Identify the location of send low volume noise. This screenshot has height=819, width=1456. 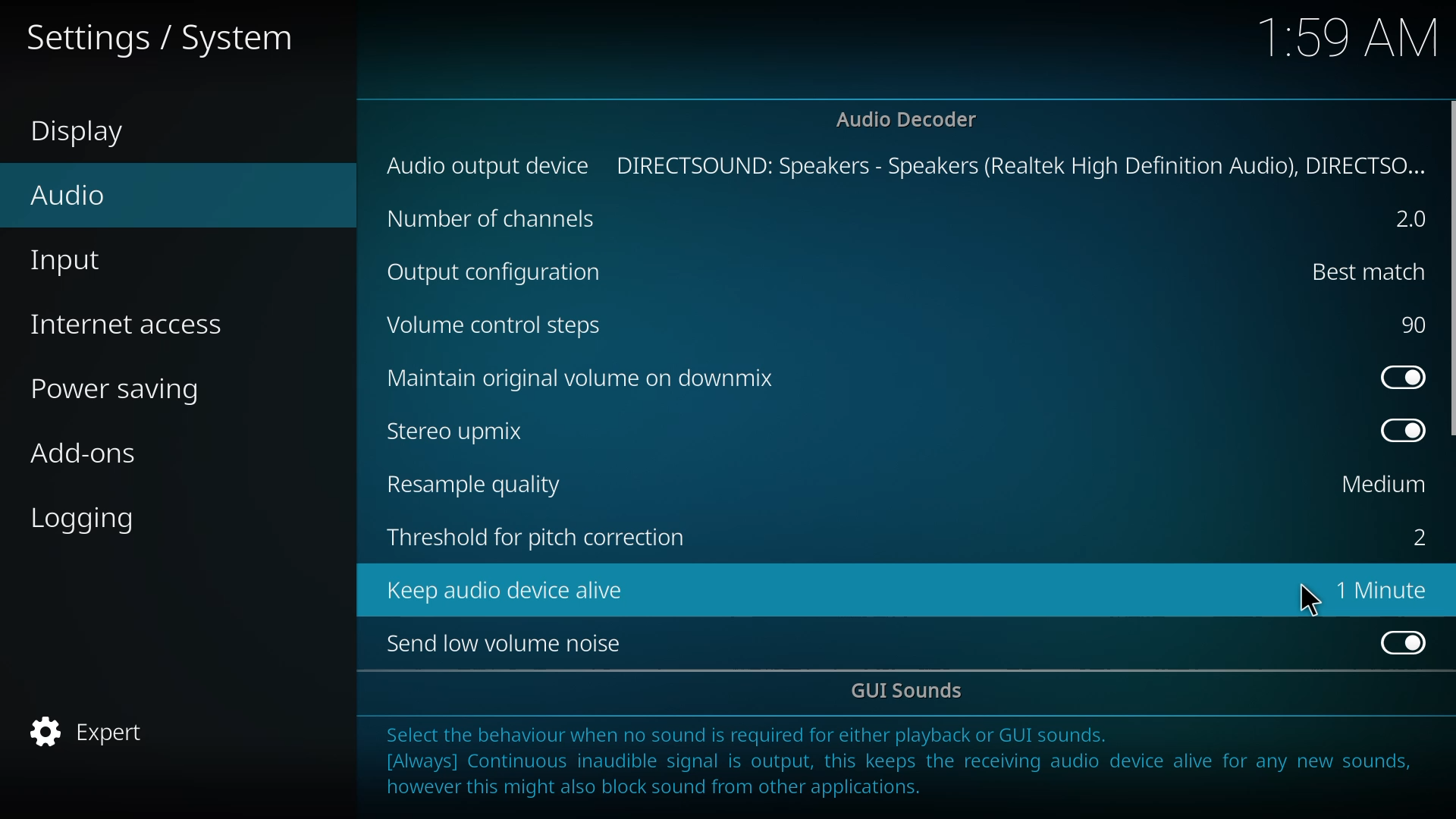
(510, 644).